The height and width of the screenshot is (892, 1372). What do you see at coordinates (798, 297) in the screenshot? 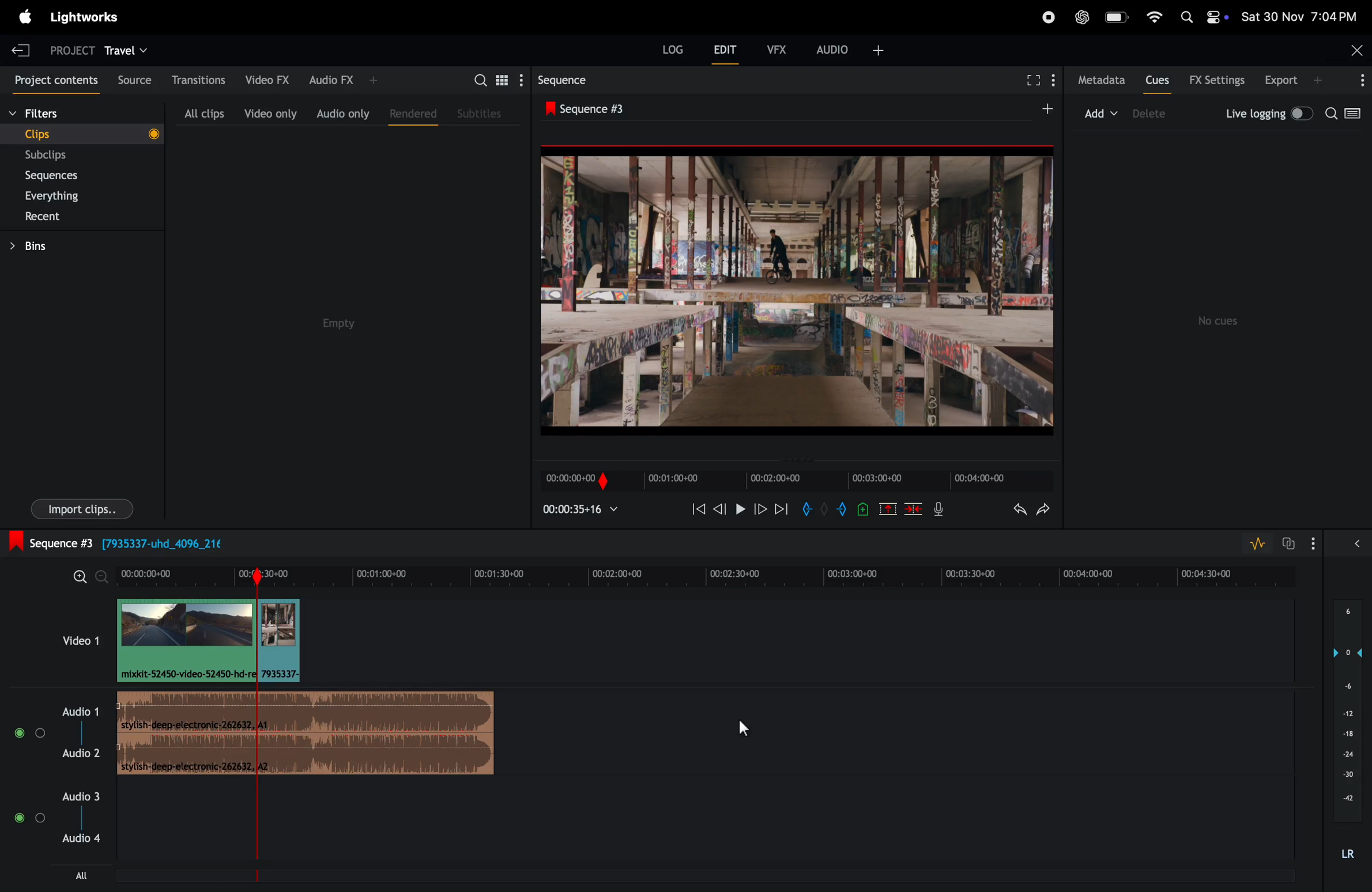
I see `output frame` at bounding box center [798, 297].